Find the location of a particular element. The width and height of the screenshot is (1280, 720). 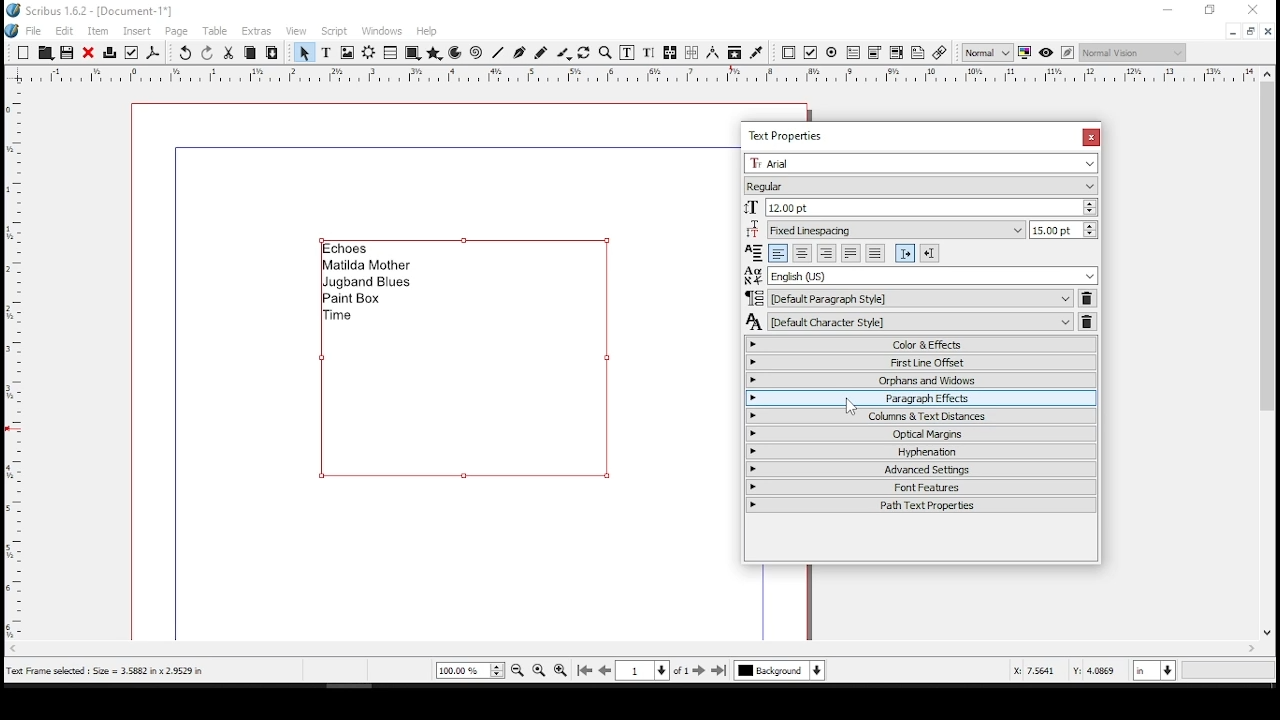

redo is located at coordinates (208, 52).